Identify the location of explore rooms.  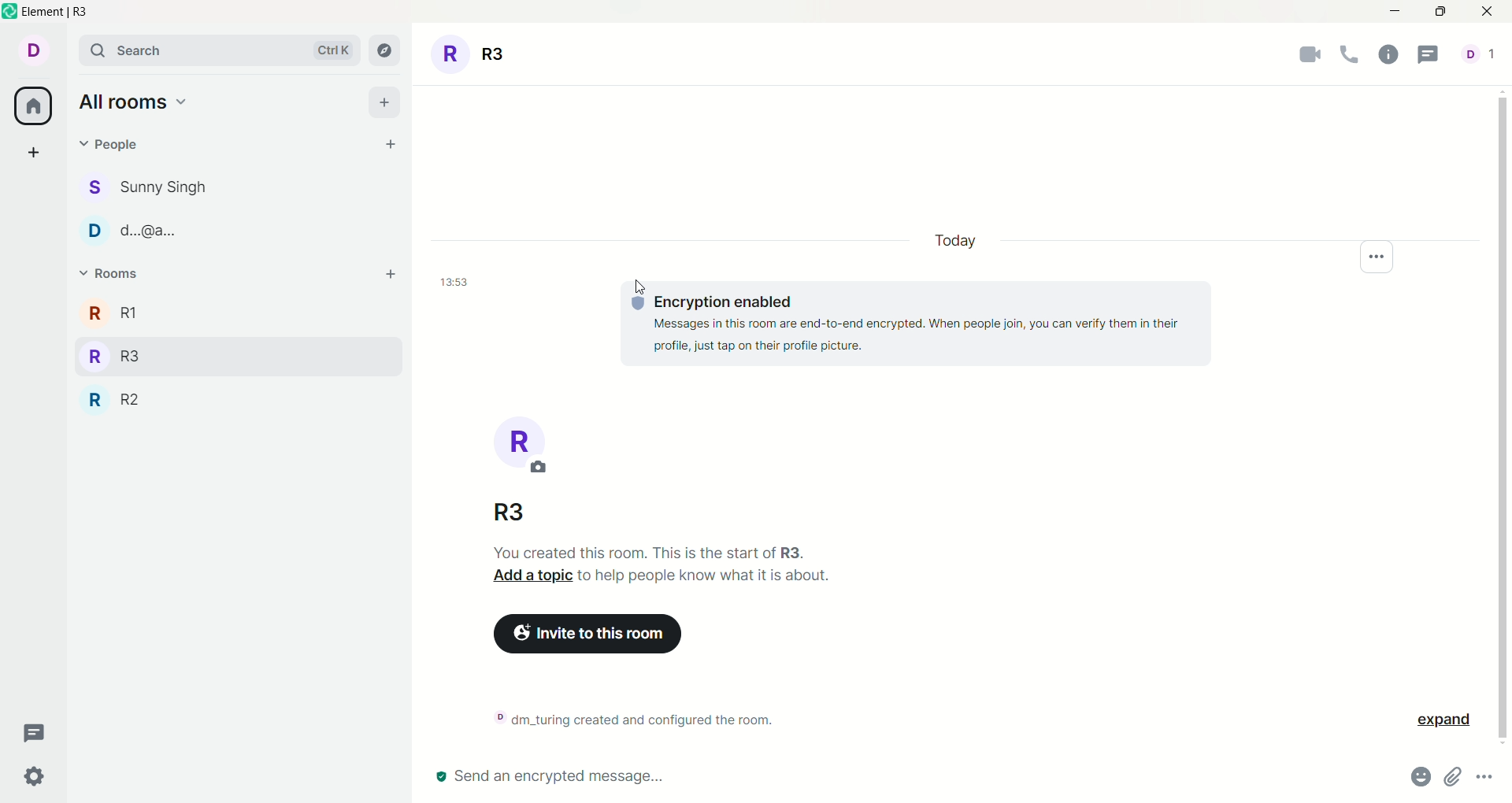
(382, 52).